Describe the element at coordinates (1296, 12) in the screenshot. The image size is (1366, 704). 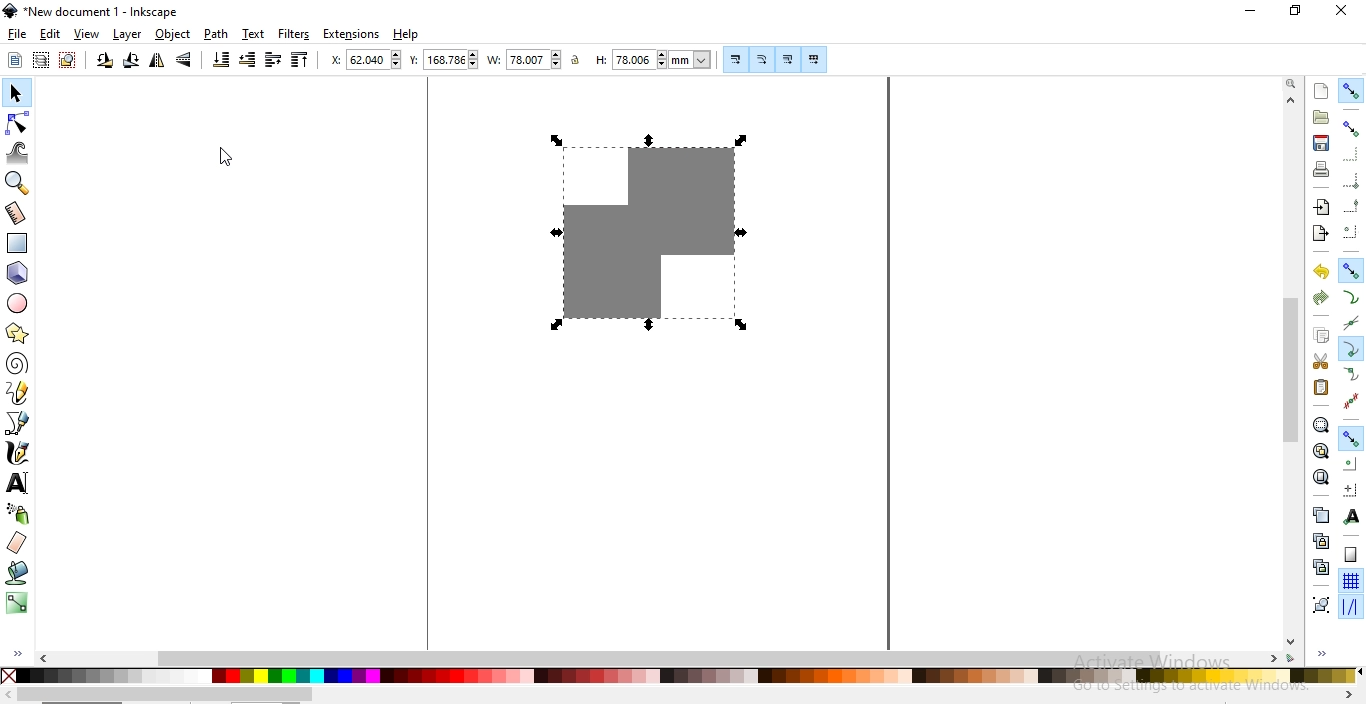
I see `restore down` at that location.